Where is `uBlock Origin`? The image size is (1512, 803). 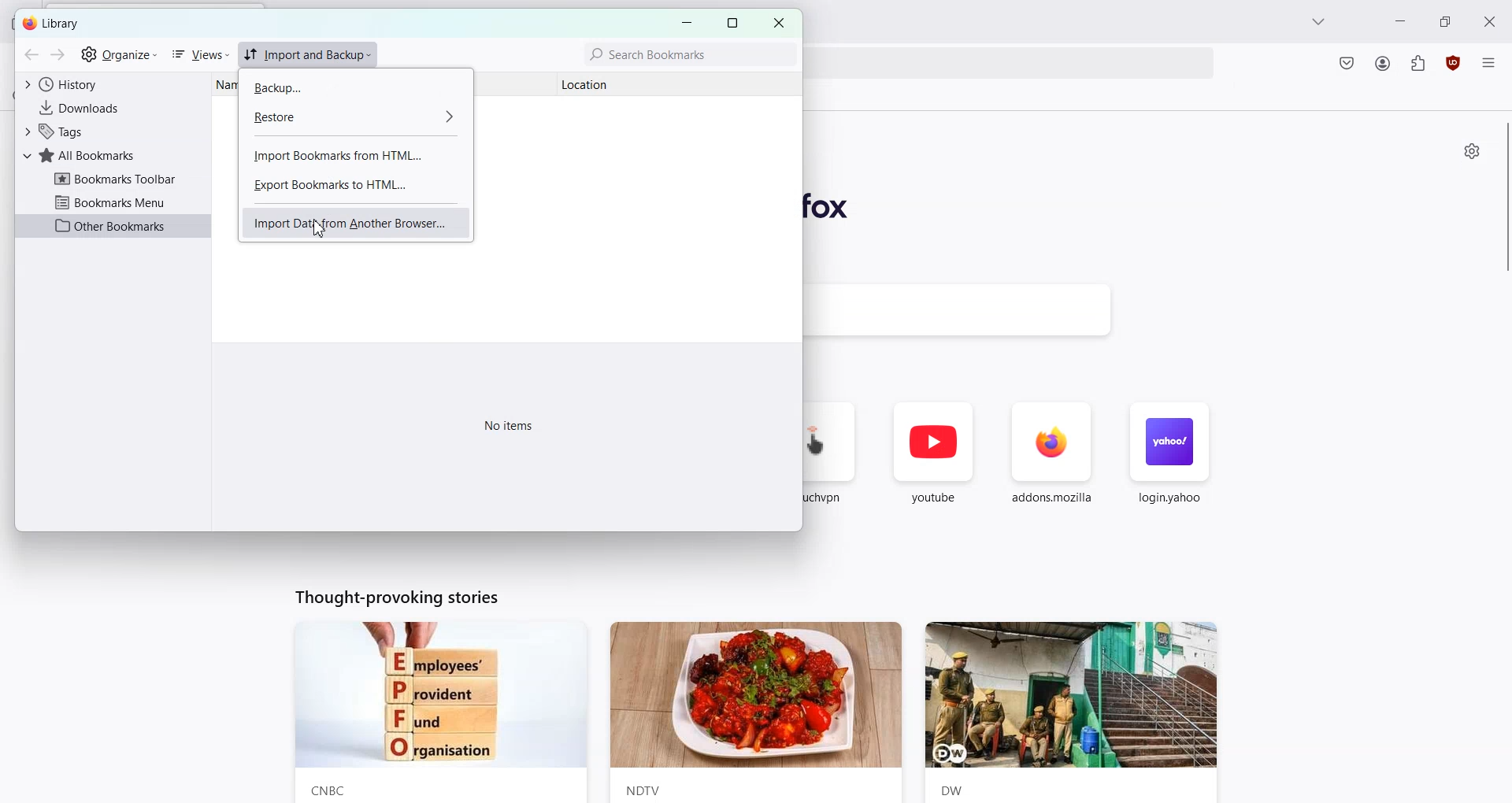 uBlock Origin is located at coordinates (1452, 63).